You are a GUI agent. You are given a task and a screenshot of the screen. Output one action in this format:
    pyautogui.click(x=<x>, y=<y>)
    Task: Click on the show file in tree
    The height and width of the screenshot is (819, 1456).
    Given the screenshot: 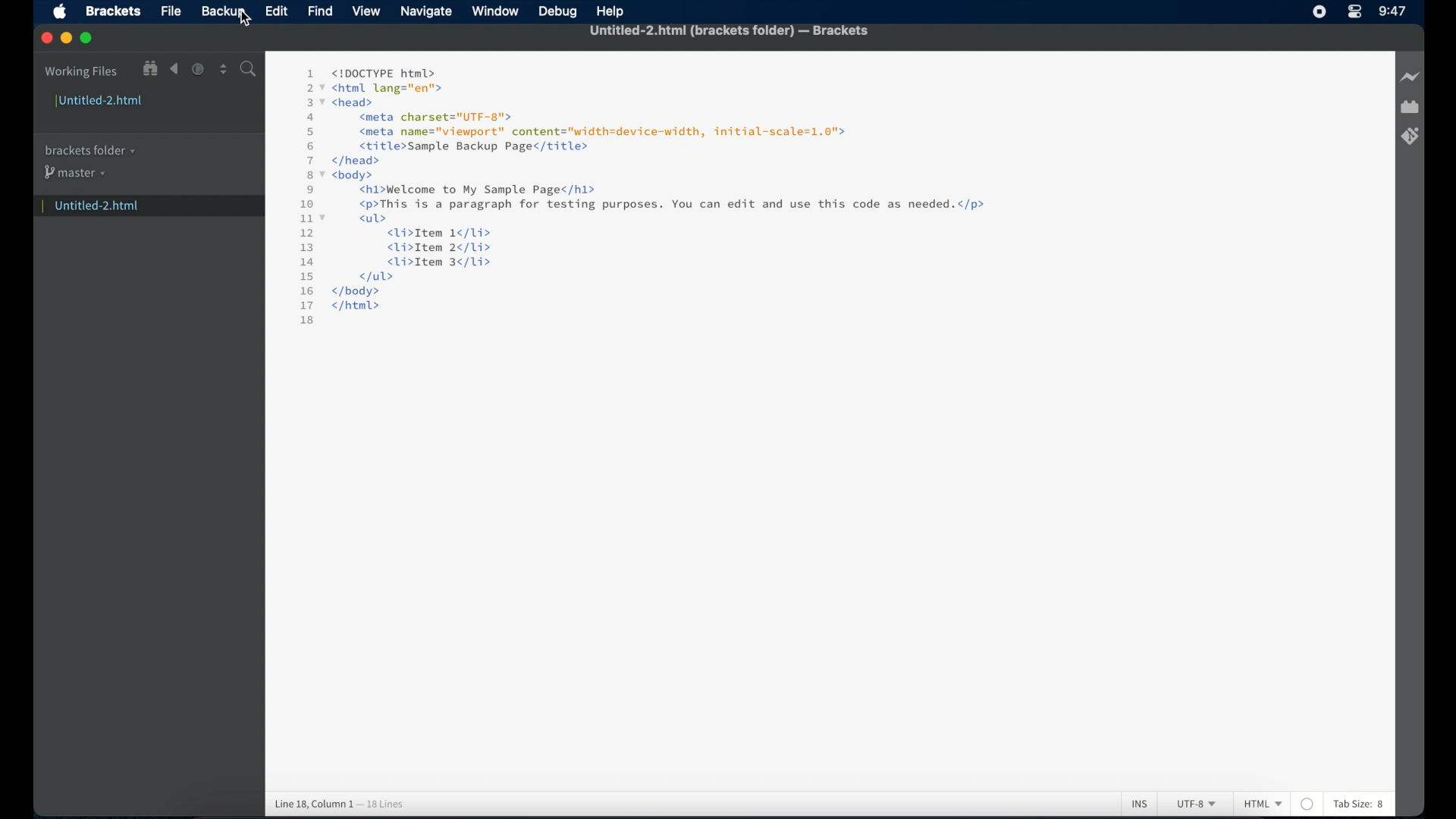 What is the action you would take?
    pyautogui.click(x=150, y=69)
    